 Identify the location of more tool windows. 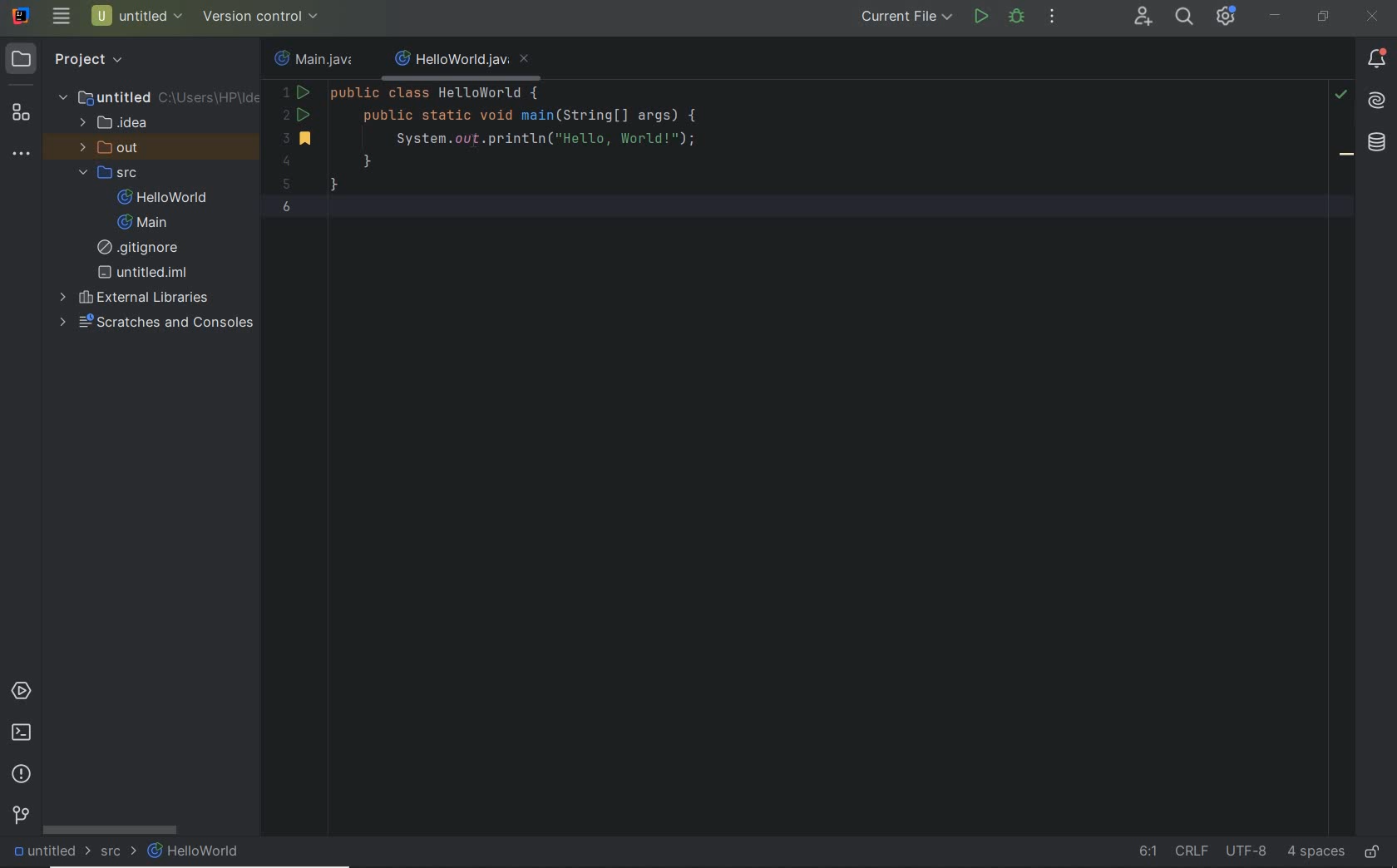
(22, 152).